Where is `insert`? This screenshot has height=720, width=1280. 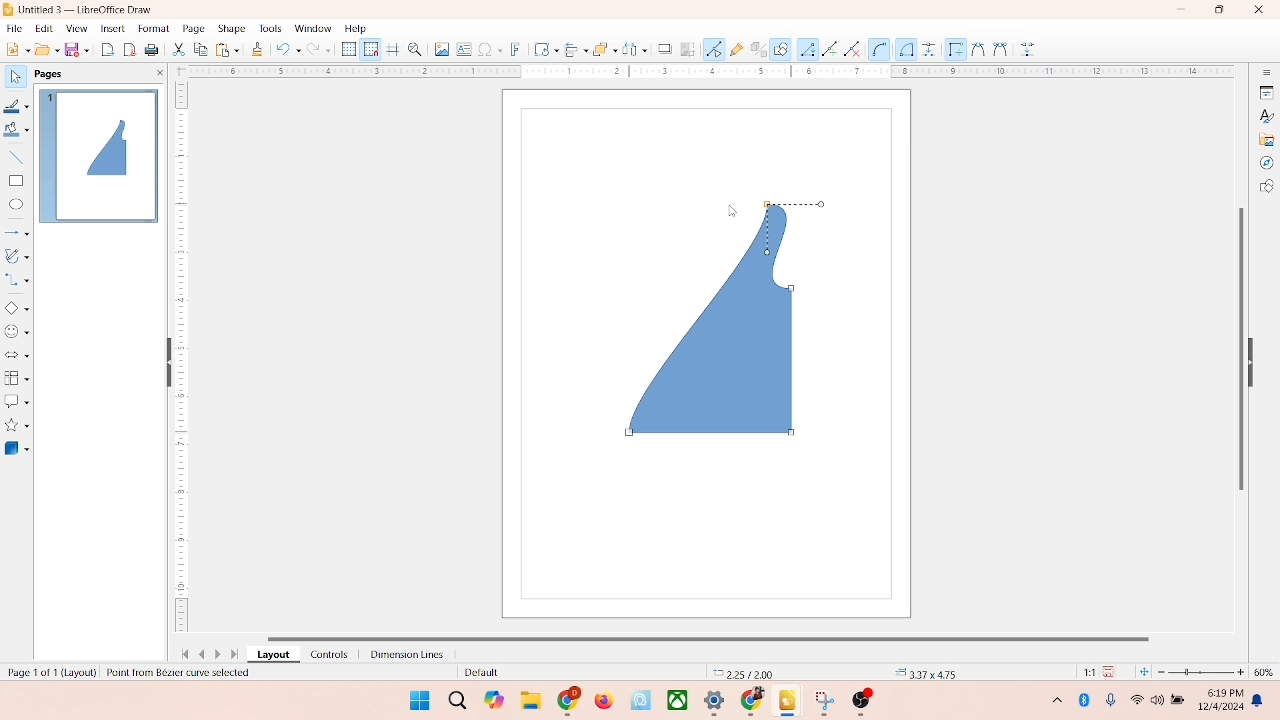
insert is located at coordinates (111, 28).